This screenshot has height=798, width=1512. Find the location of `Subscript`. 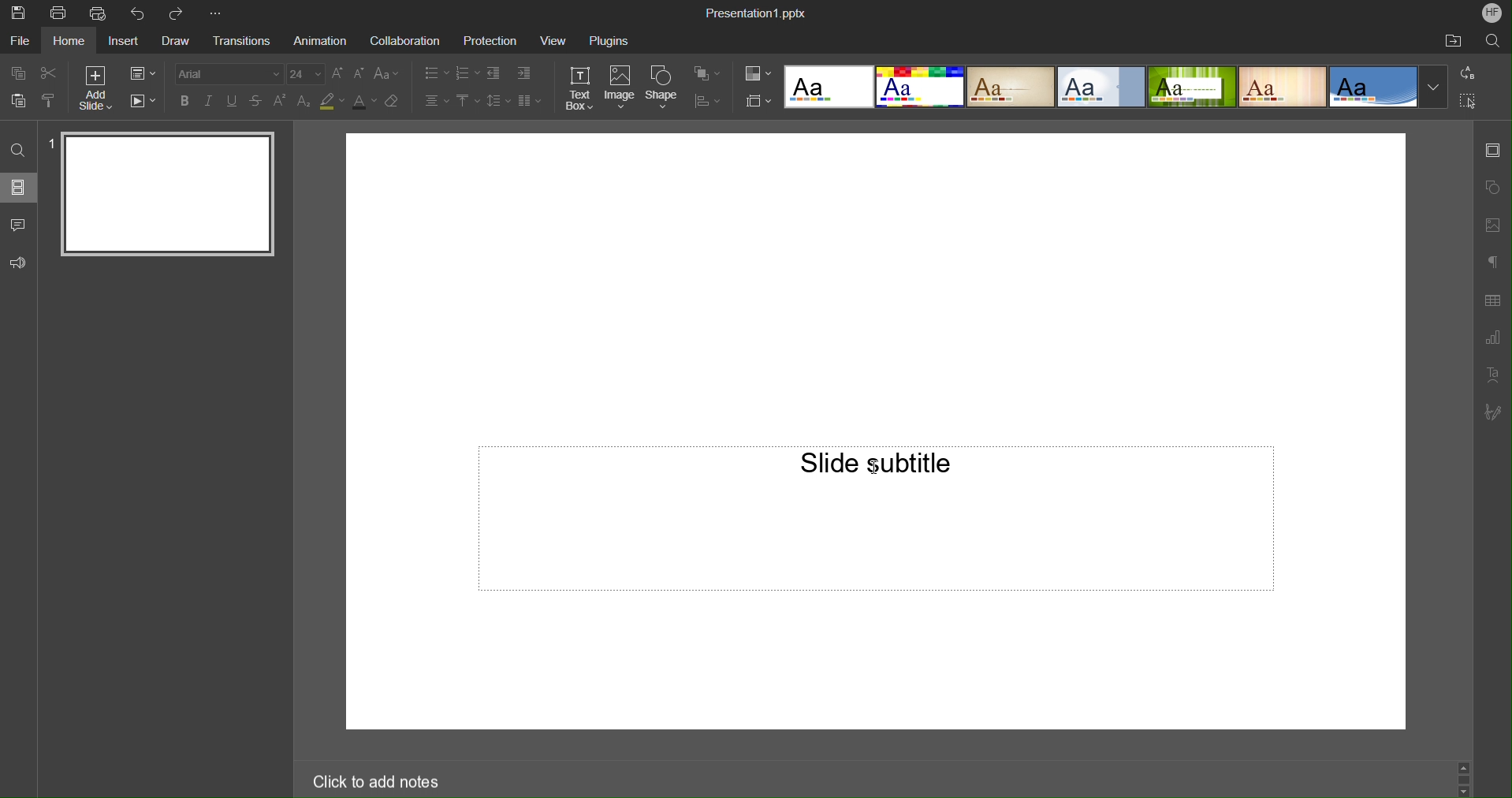

Subscript is located at coordinates (302, 101).